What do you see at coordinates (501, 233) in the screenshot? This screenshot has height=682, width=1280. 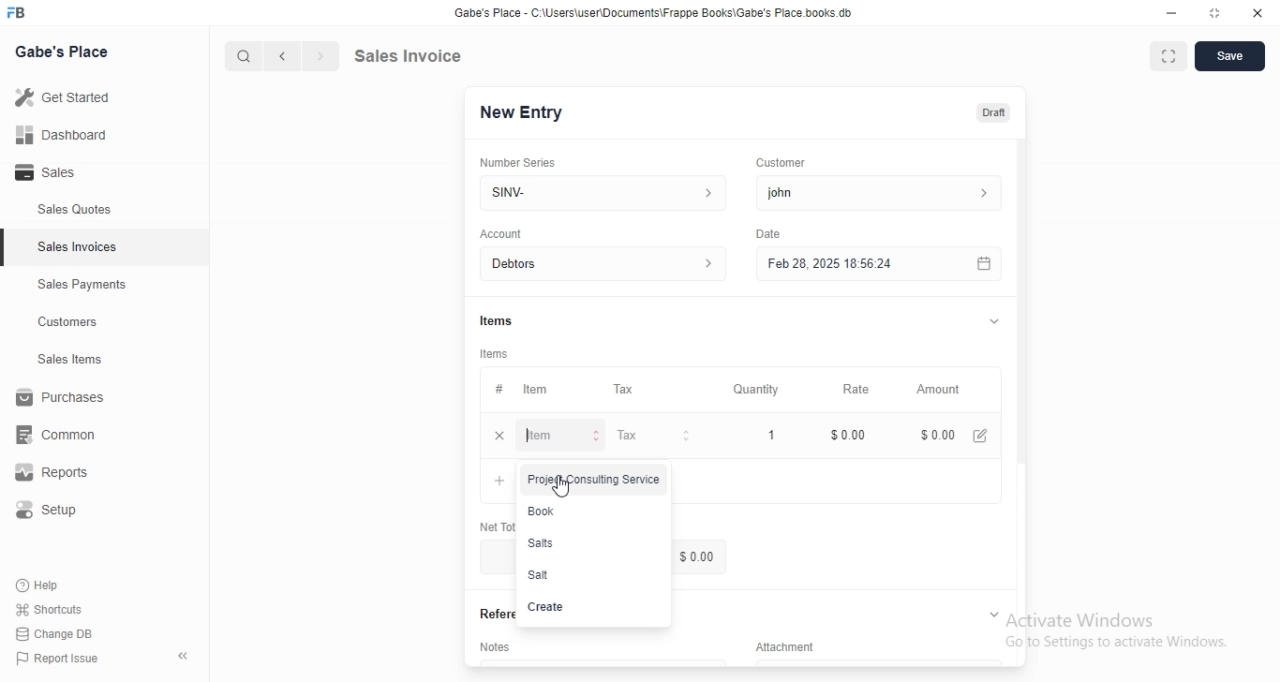 I see `‘Account` at bounding box center [501, 233].